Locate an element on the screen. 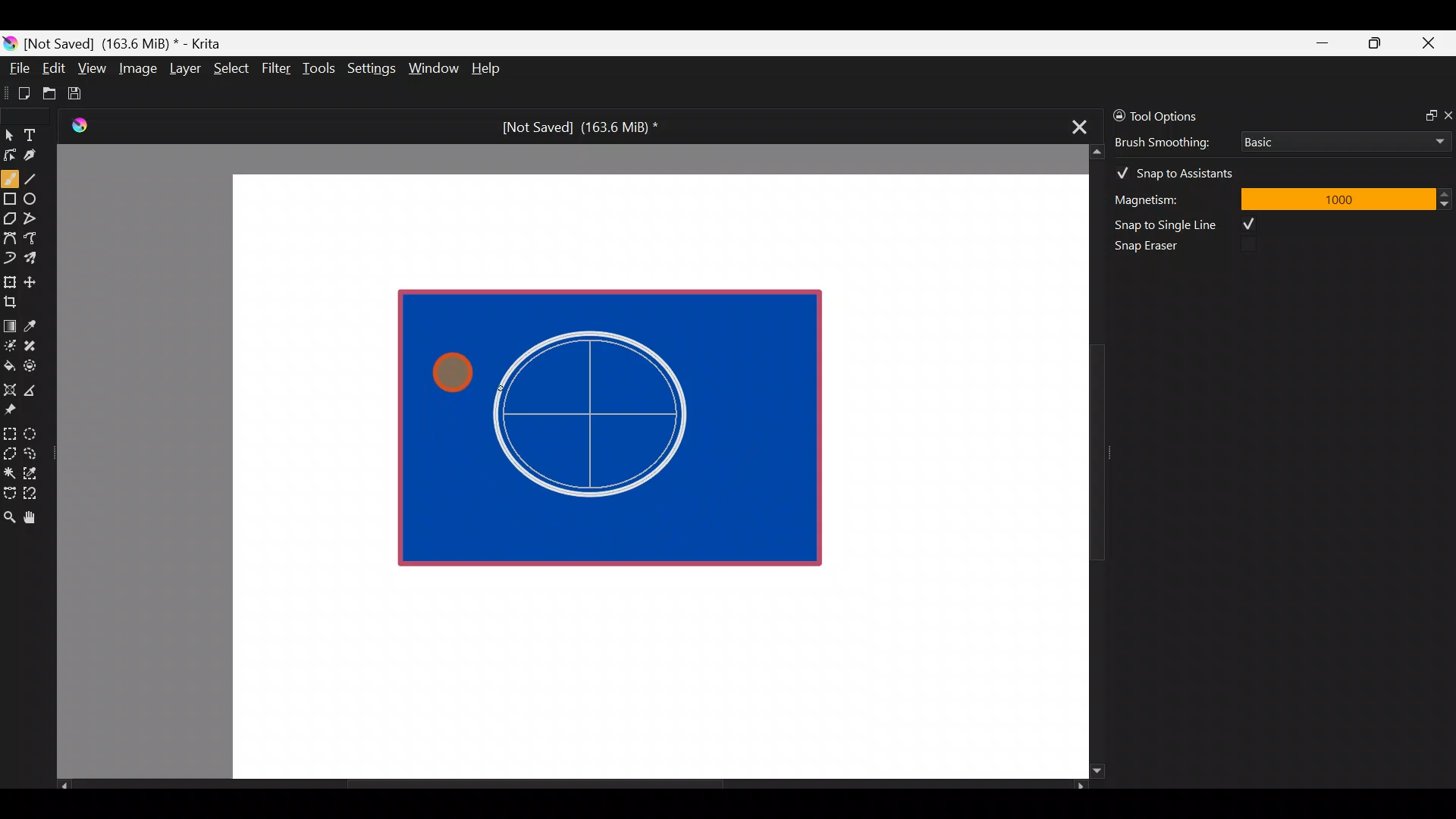 The image size is (1456, 819). Snap to assistants is located at coordinates (1182, 170).